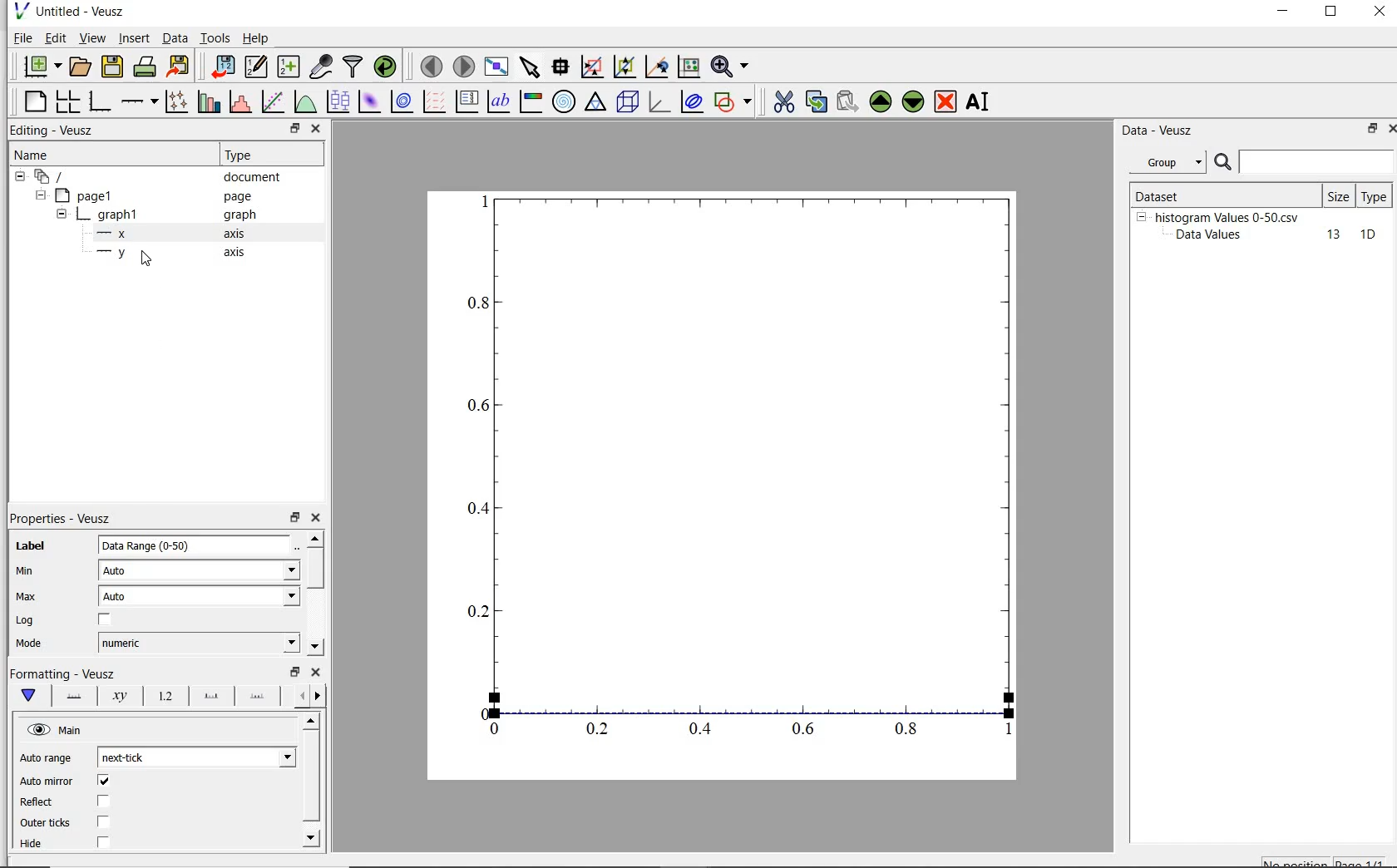 The height and width of the screenshot is (868, 1397). I want to click on close, so click(1389, 131).